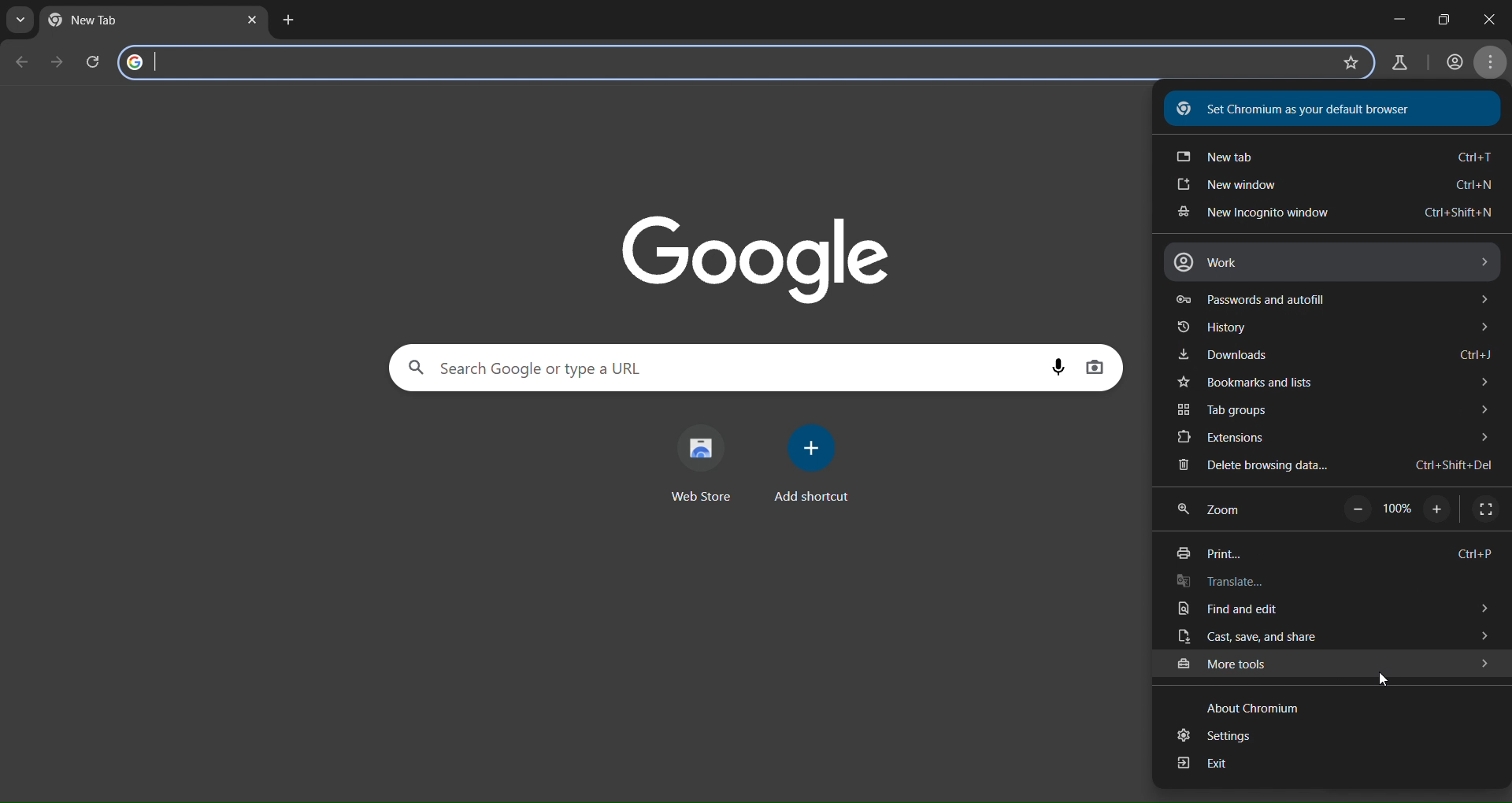  Describe the element at coordinates (1332, 554) in the screenshot. I see `print` at that location.